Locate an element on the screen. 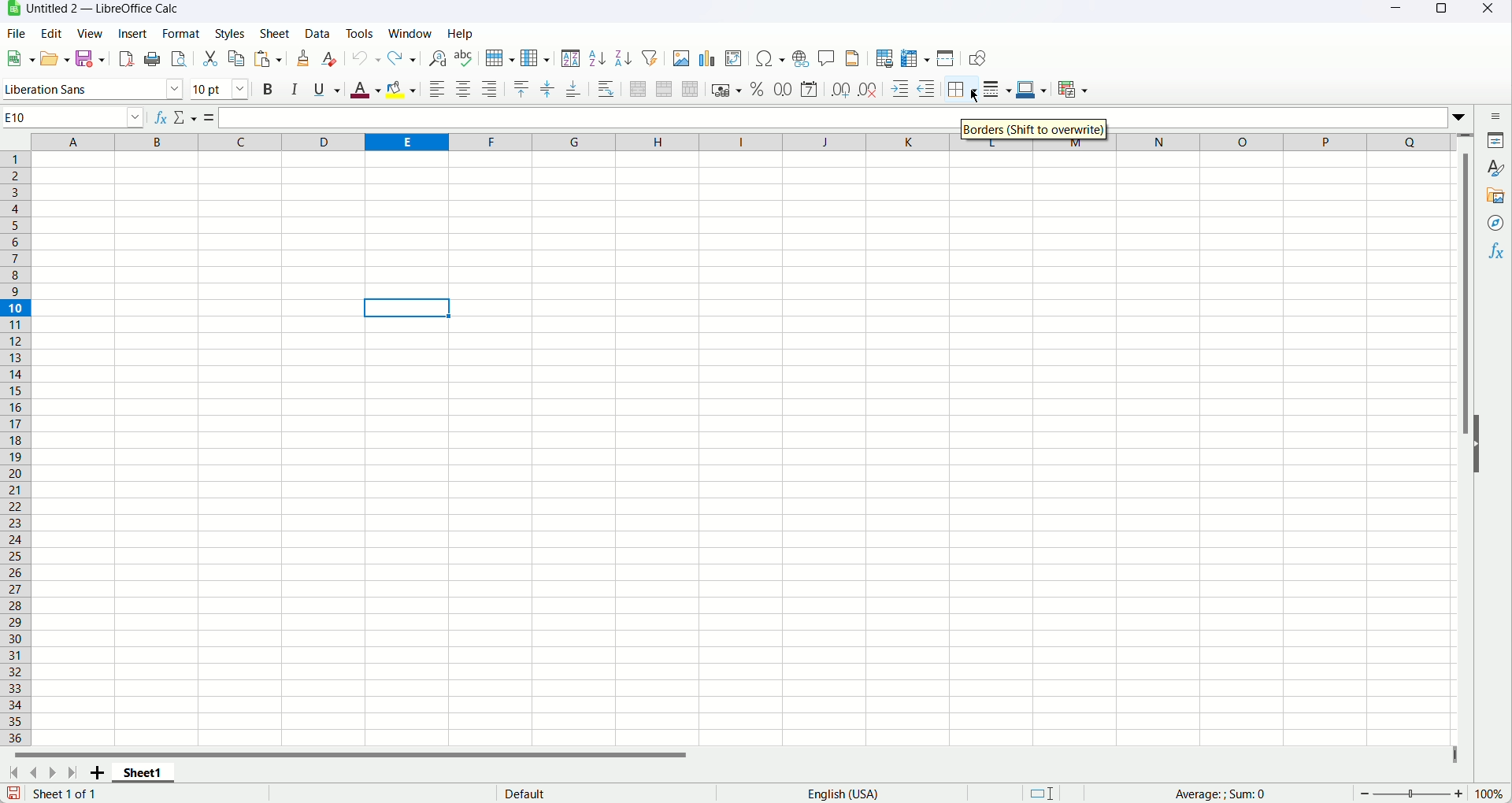 The height and width of the screenshot is (803, 1512). center vertically is located at coordinates (548, 87).